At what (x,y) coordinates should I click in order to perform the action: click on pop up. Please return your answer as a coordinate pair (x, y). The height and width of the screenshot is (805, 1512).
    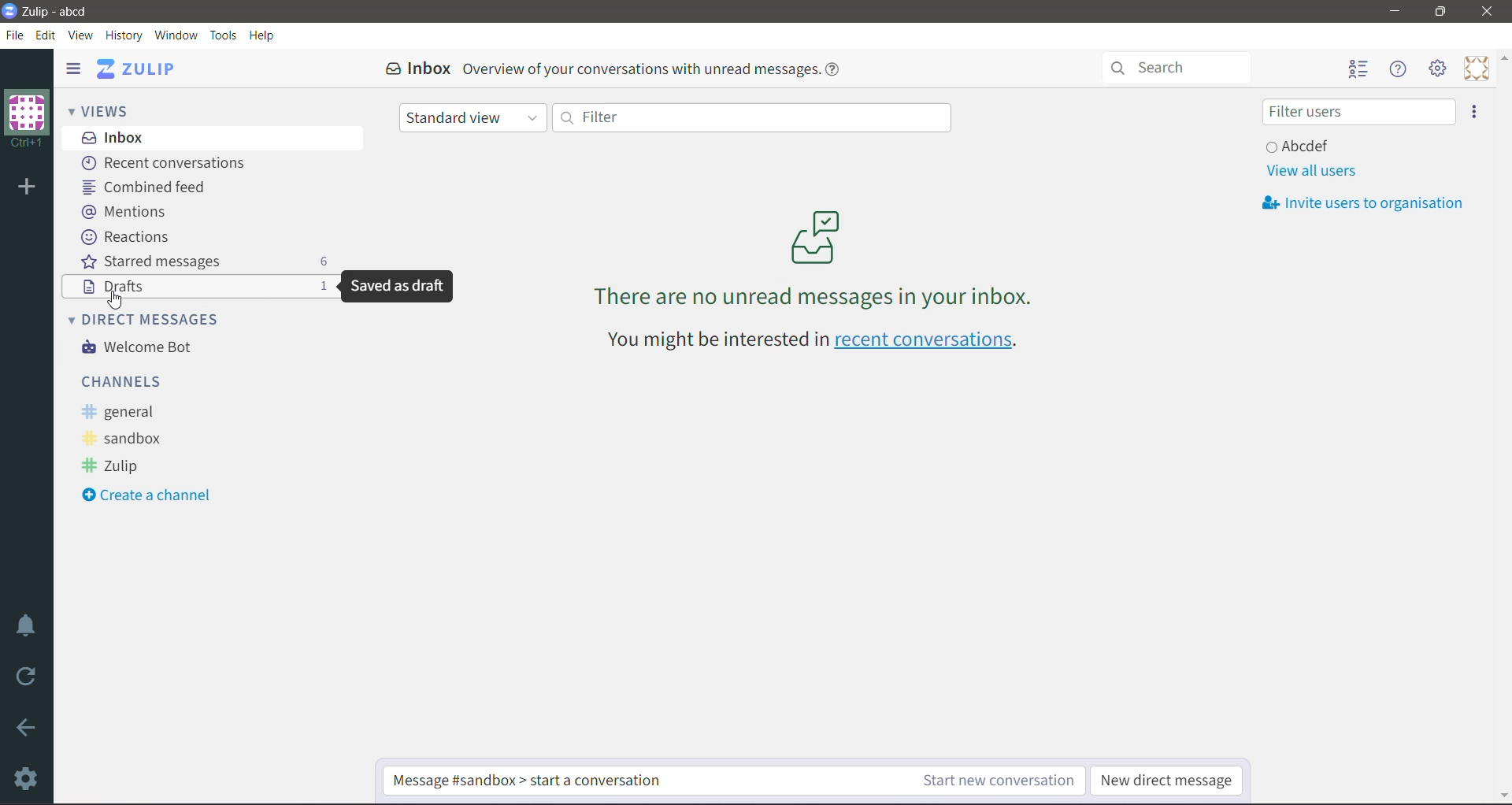
    Looking at the image, I should click on (395, 290).